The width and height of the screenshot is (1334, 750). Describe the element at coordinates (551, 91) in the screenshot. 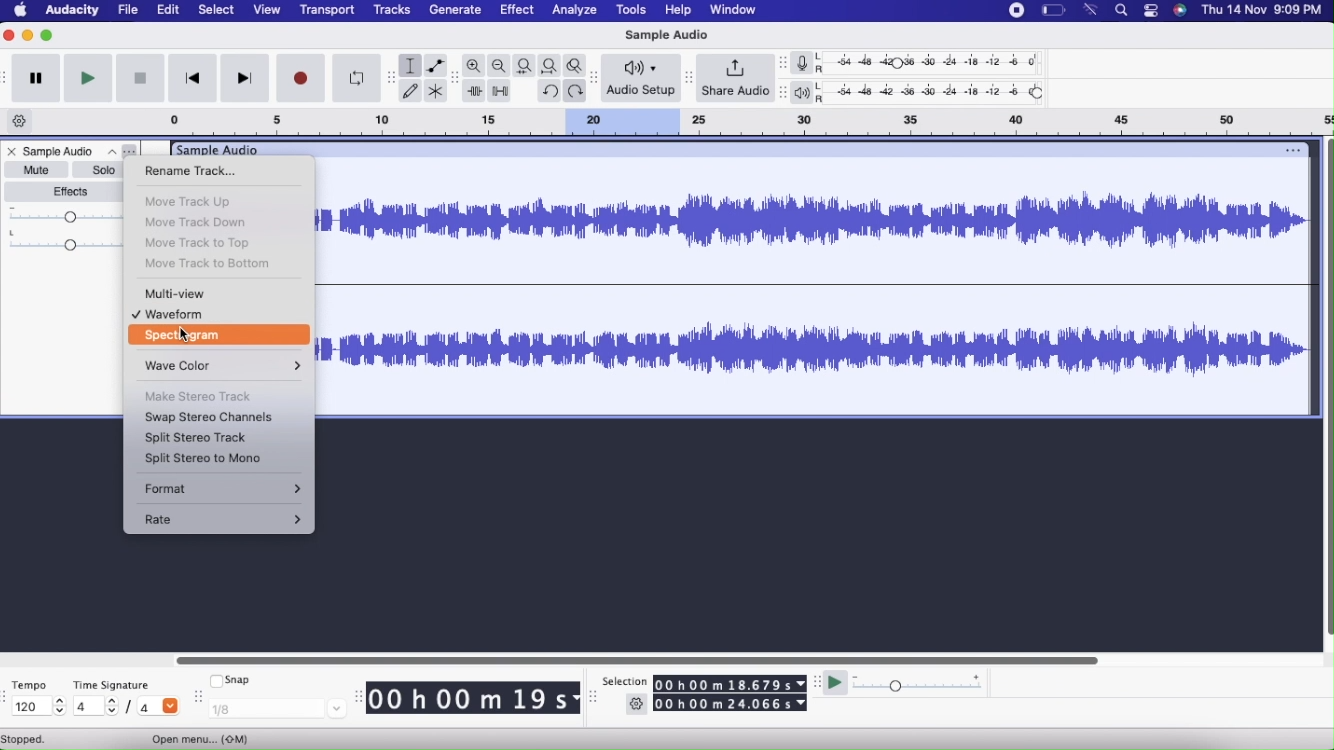

I see `Undo` at that location.